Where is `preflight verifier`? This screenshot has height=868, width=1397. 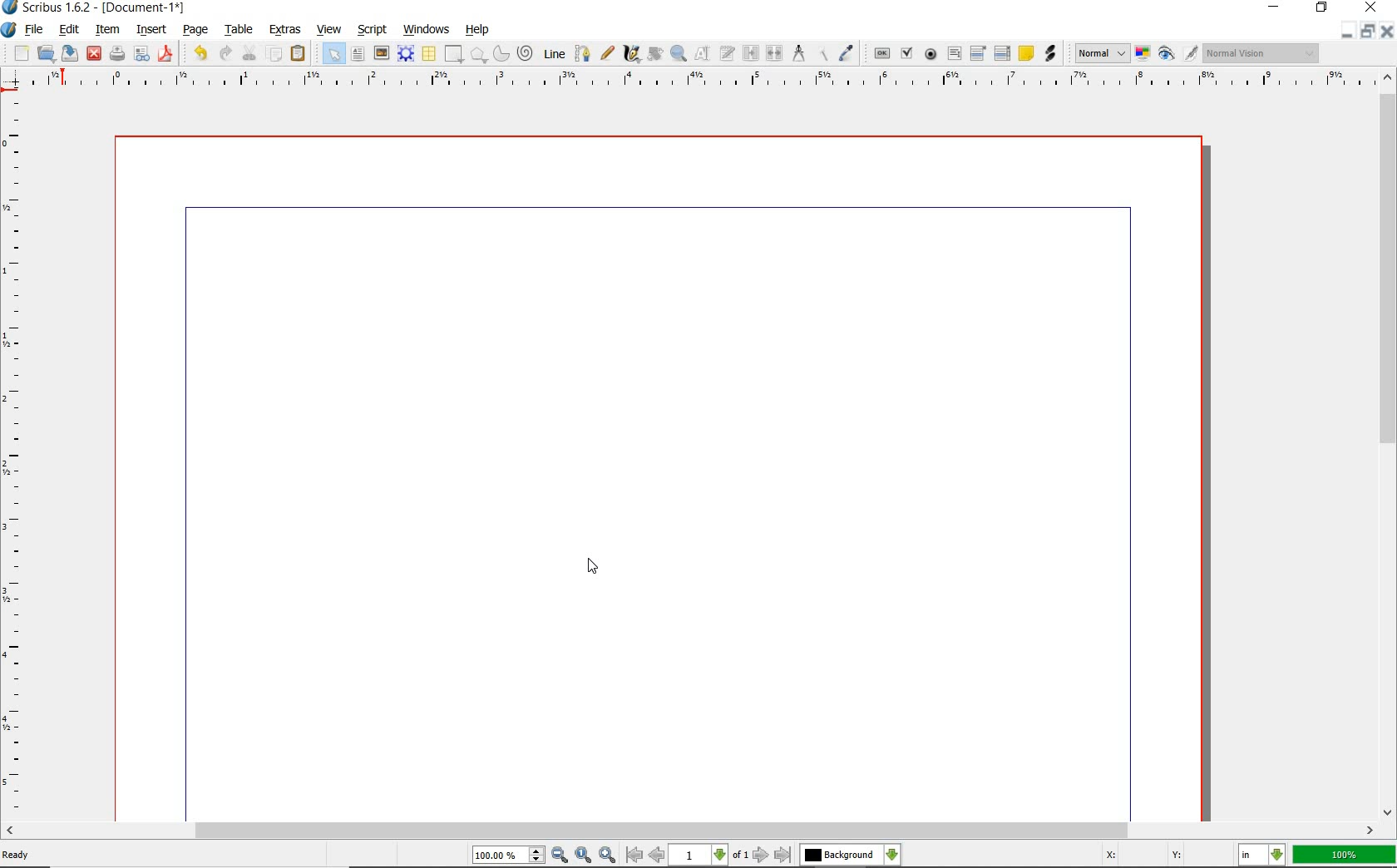 preflight verifier is located at coordinates (143, 52).